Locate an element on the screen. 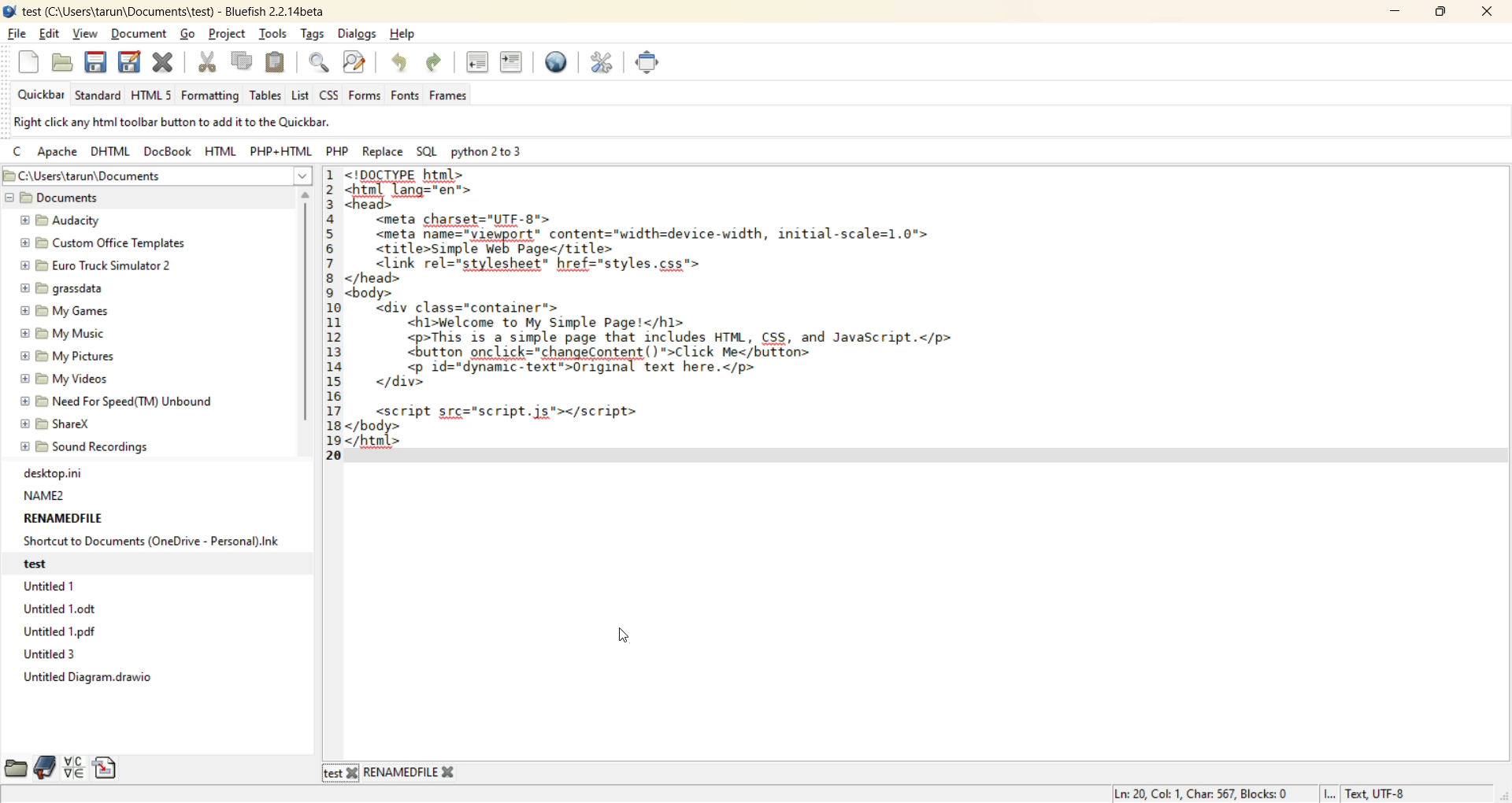 The width and height of the screenshot is (1512, 803). edit preferences is located at coordinates (605, 65).